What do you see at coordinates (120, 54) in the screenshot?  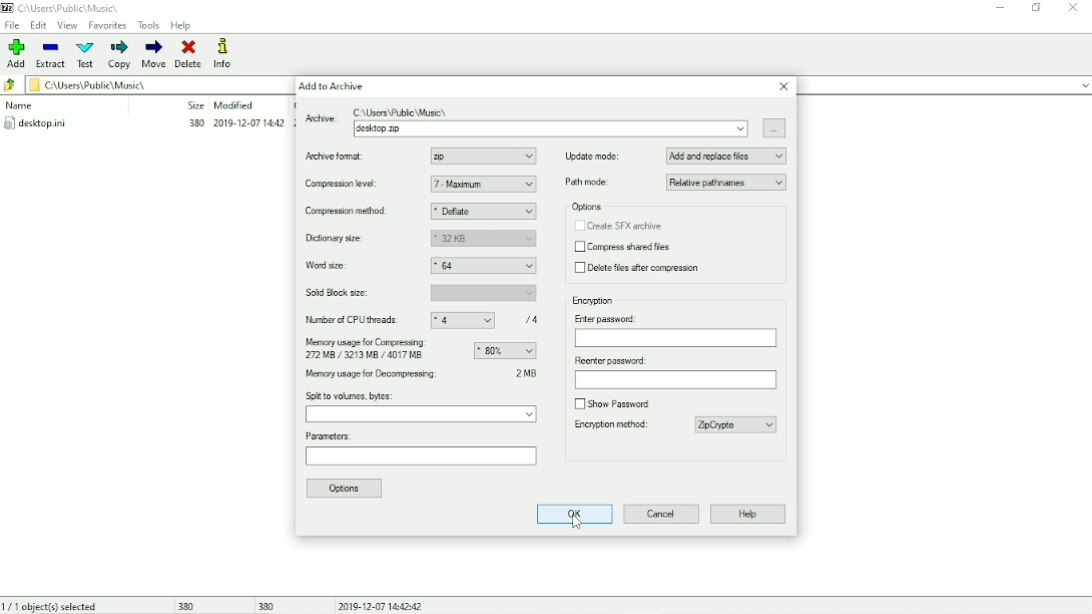 I see `Copy` at bounding box center [120, 54].